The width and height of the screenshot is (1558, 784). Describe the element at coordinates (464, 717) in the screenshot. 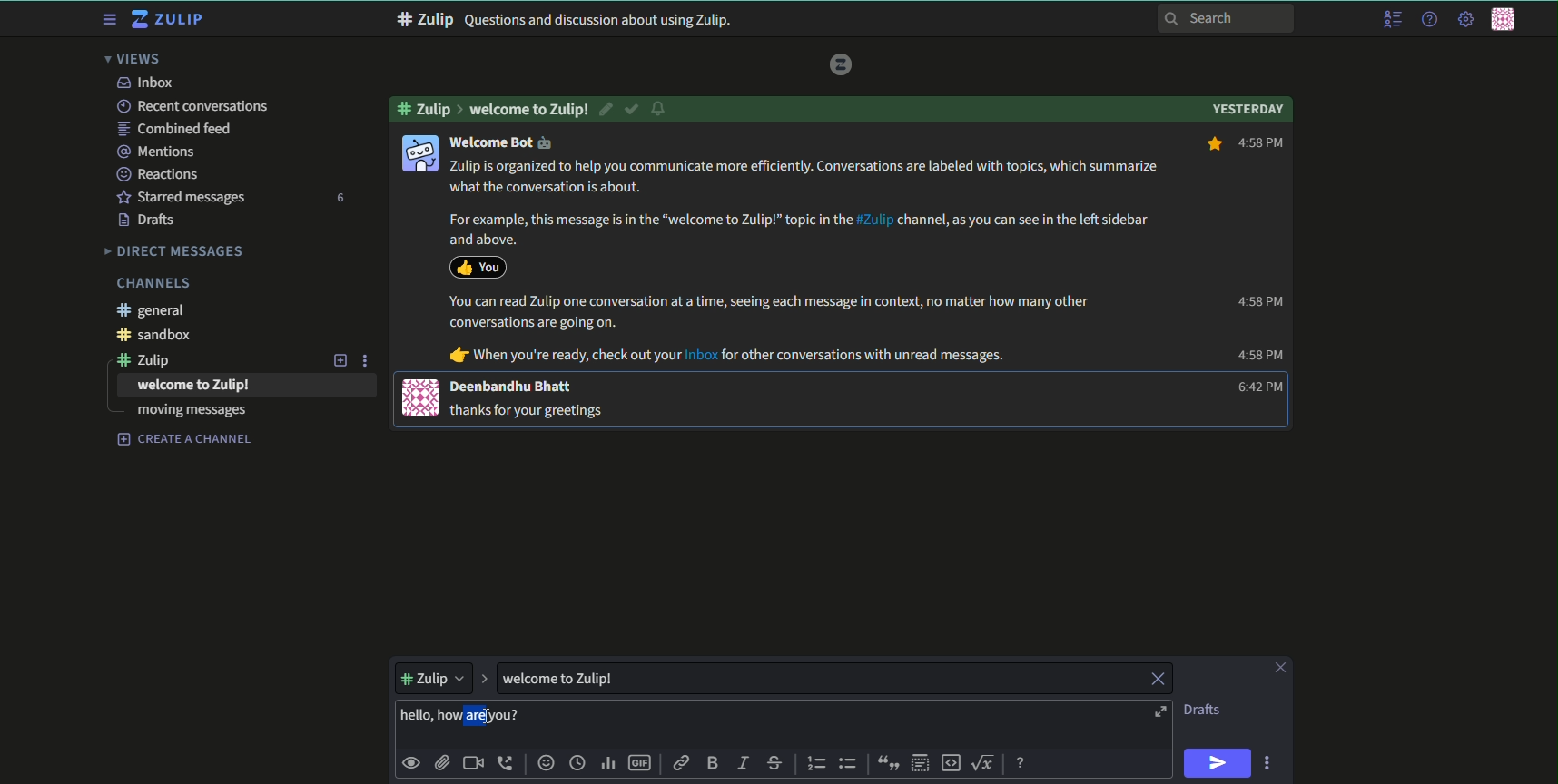

I see `highlighted text` at that location.